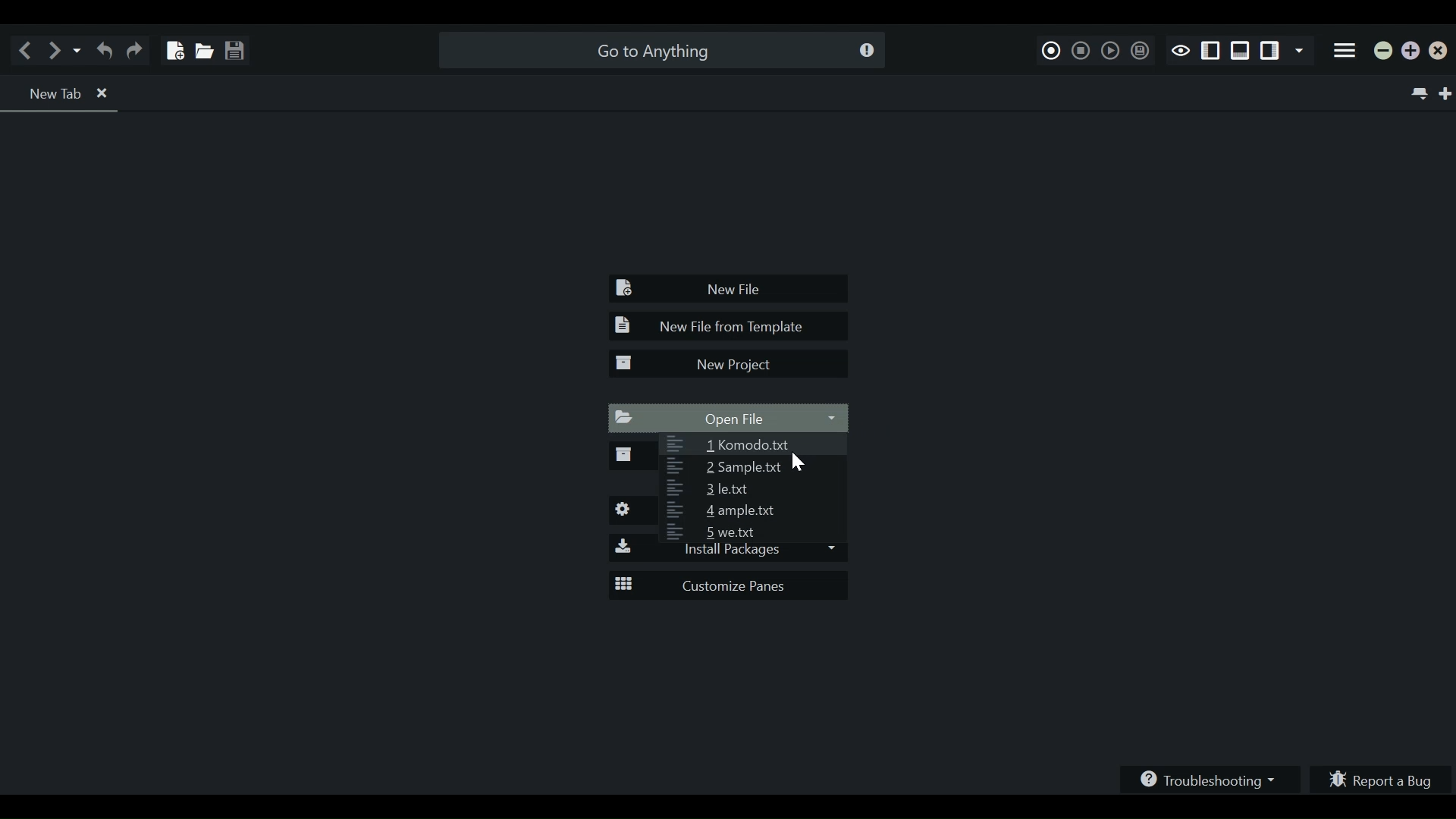 The width and height of the screenshot is (1456, 819). What do you see at coordinates (730, 290) in the screenshot?
I see `New File` at bounding box center [730, 290].